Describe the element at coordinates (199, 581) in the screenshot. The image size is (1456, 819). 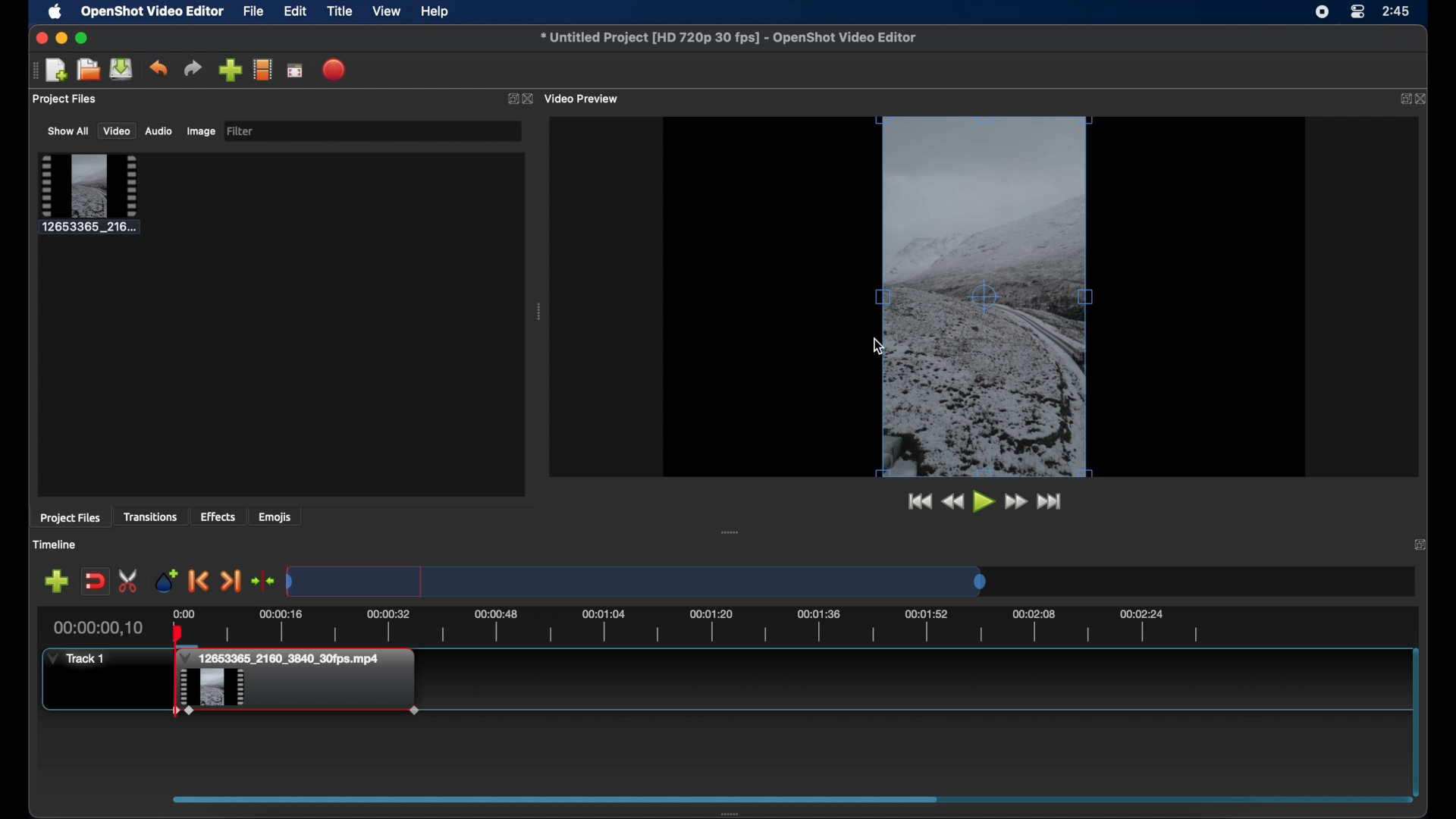
I see `previous marker` at that location.